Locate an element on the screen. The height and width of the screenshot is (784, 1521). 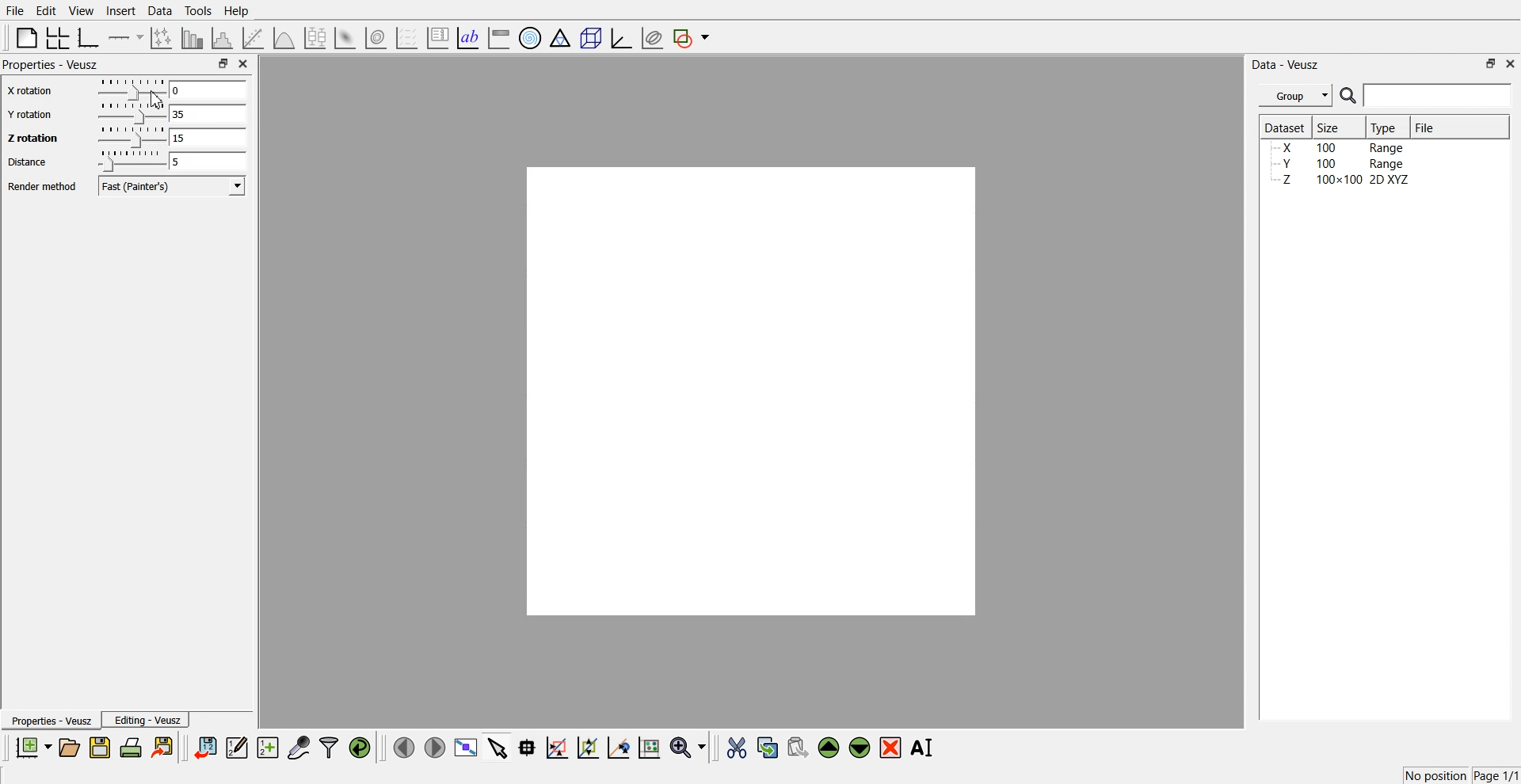
Preview window is located at coordinates (752, 391).